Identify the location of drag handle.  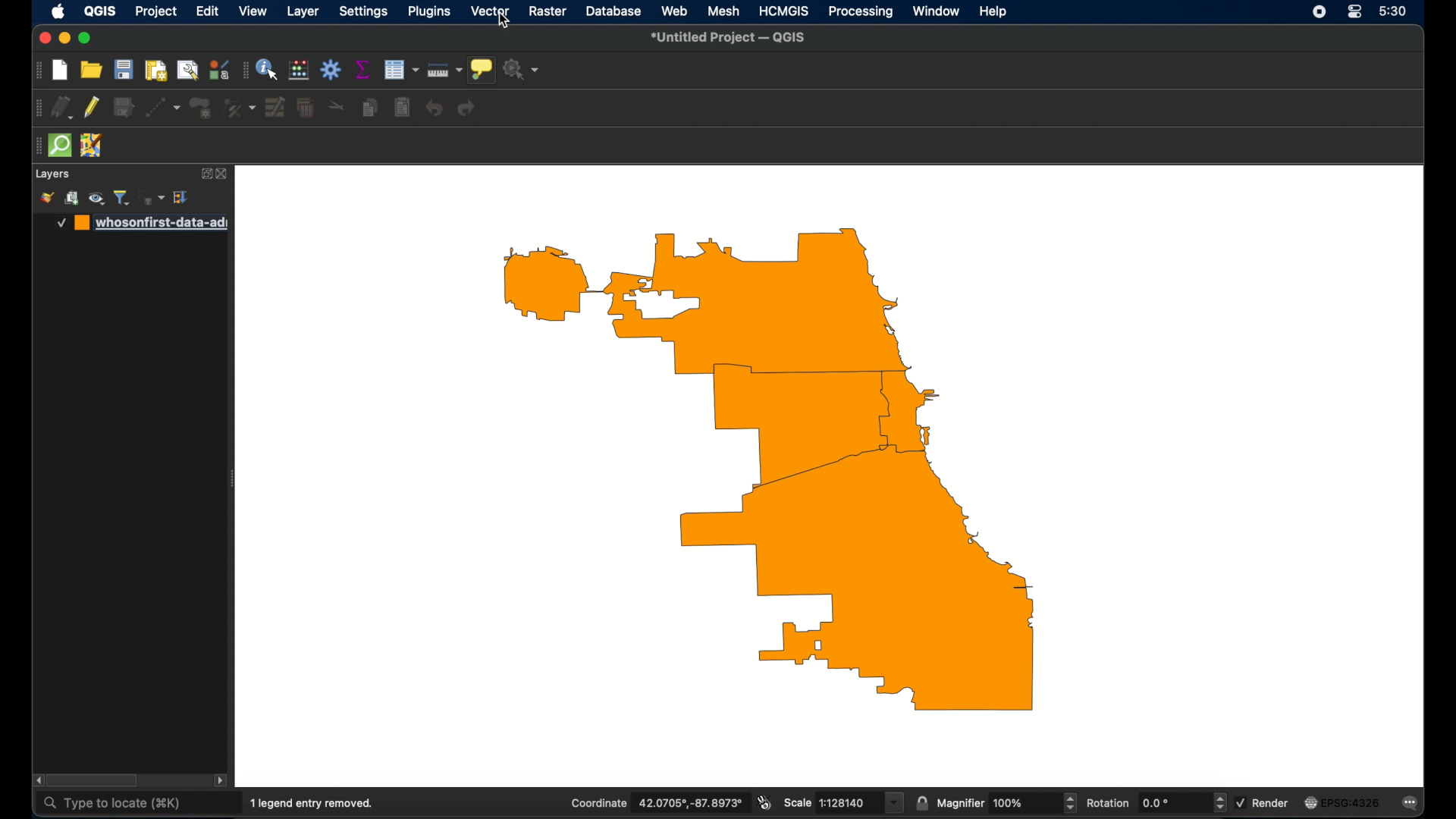
(243, 70).